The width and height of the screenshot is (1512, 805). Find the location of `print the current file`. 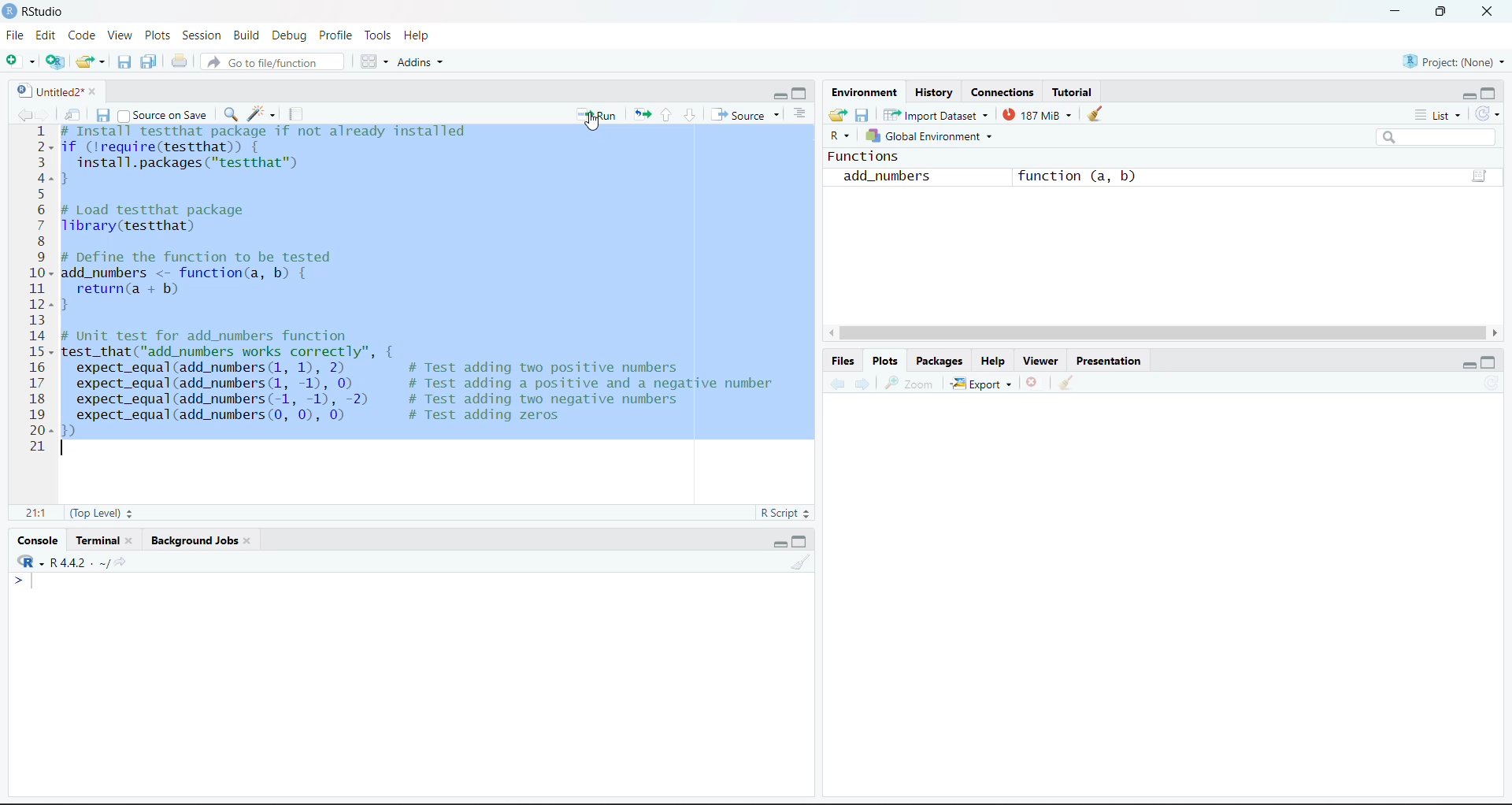

print the current file is located at coordinates (179, 62).